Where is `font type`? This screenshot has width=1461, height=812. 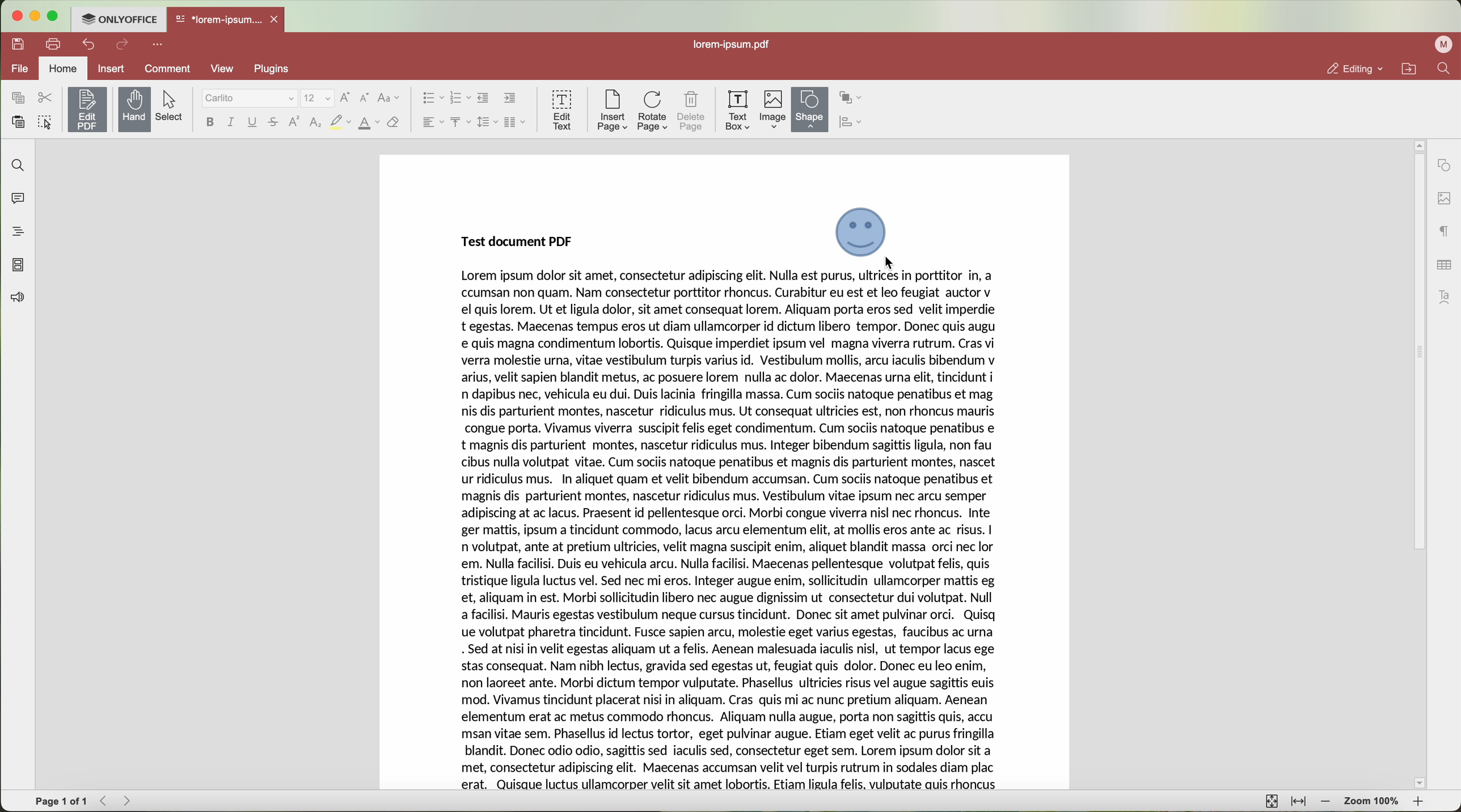 font type is located at coordinates (250, 99).